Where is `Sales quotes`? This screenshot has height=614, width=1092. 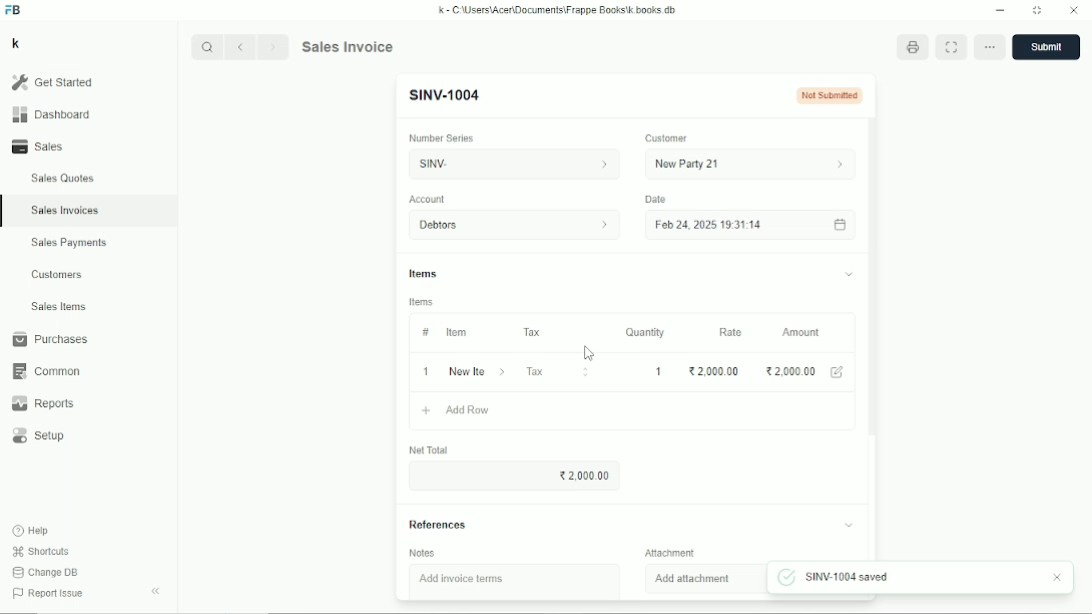 Sales quotes is located at coordinates (61, 178).